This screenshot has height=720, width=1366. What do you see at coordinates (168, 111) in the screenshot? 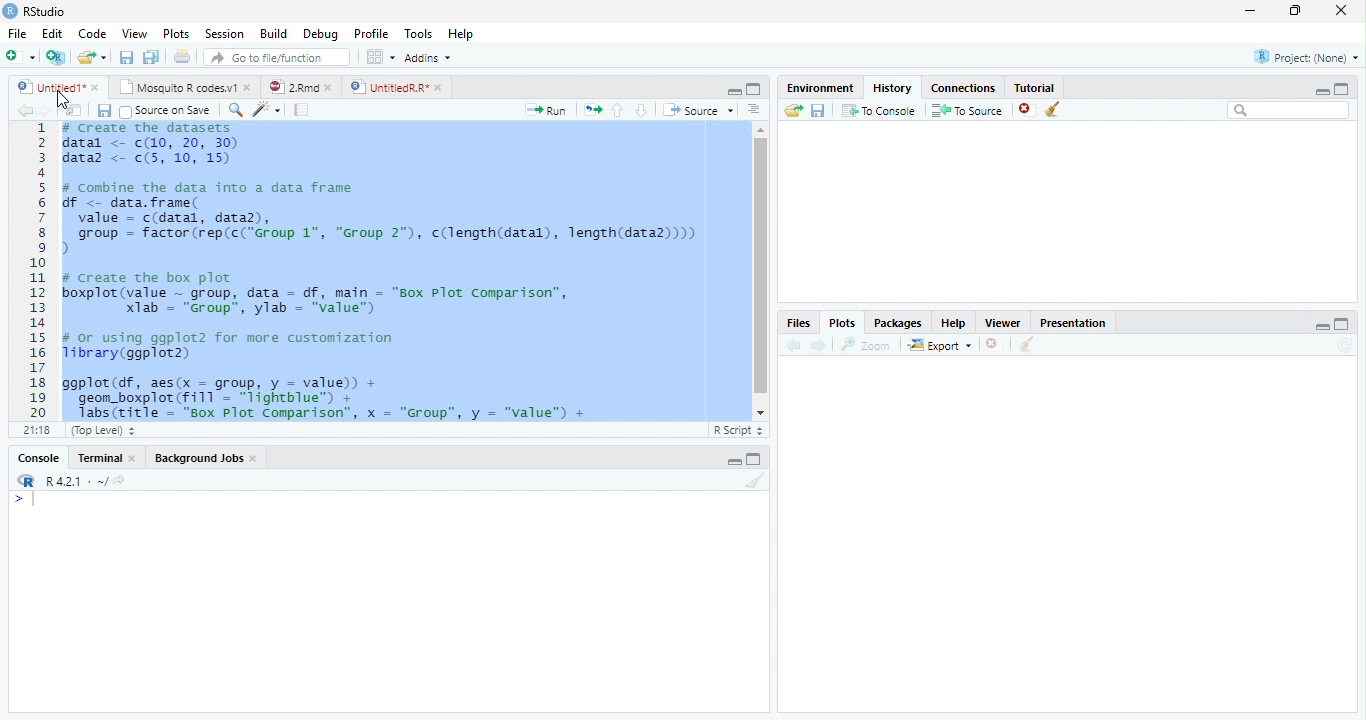
I see `Source on Save` at bounding box center [168, 111].